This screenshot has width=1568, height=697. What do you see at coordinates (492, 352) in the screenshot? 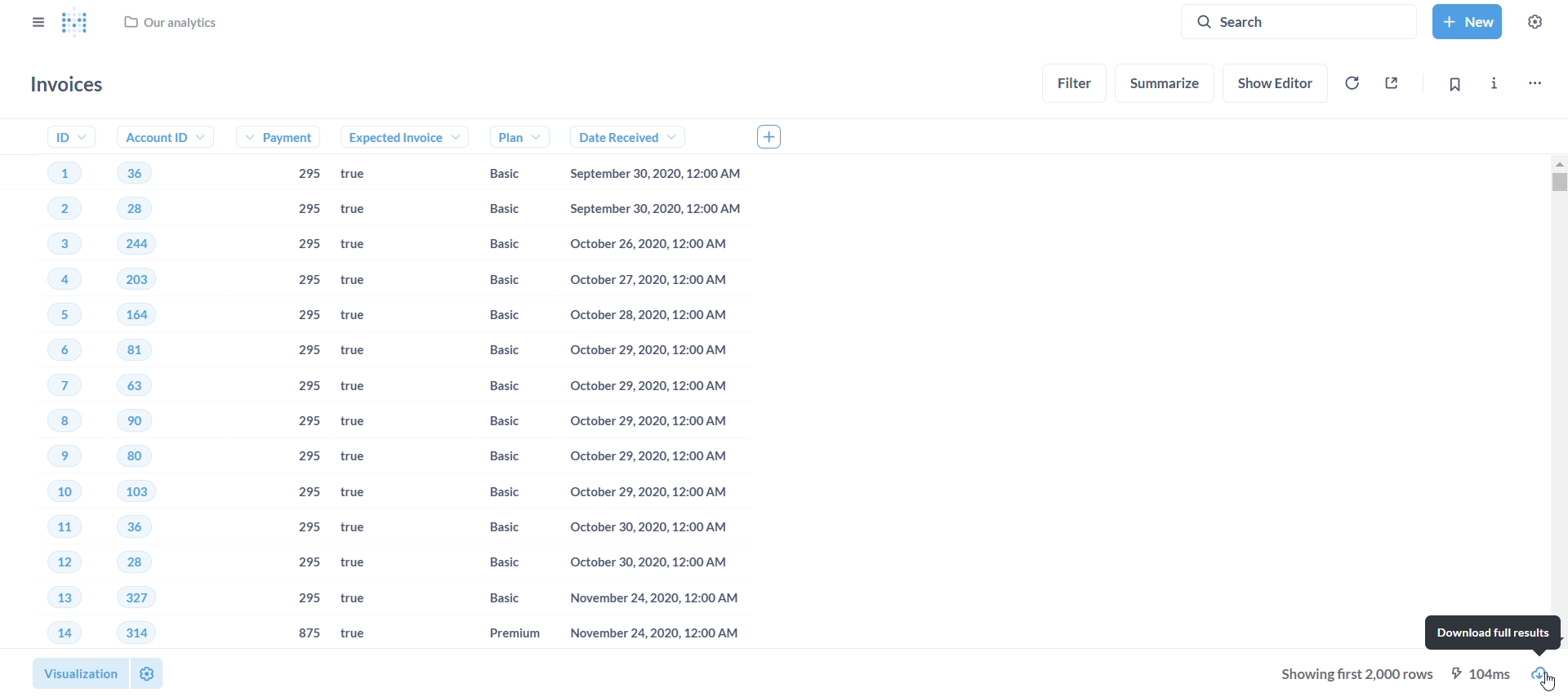
I see `Basic` at bounding box center [492, 352].